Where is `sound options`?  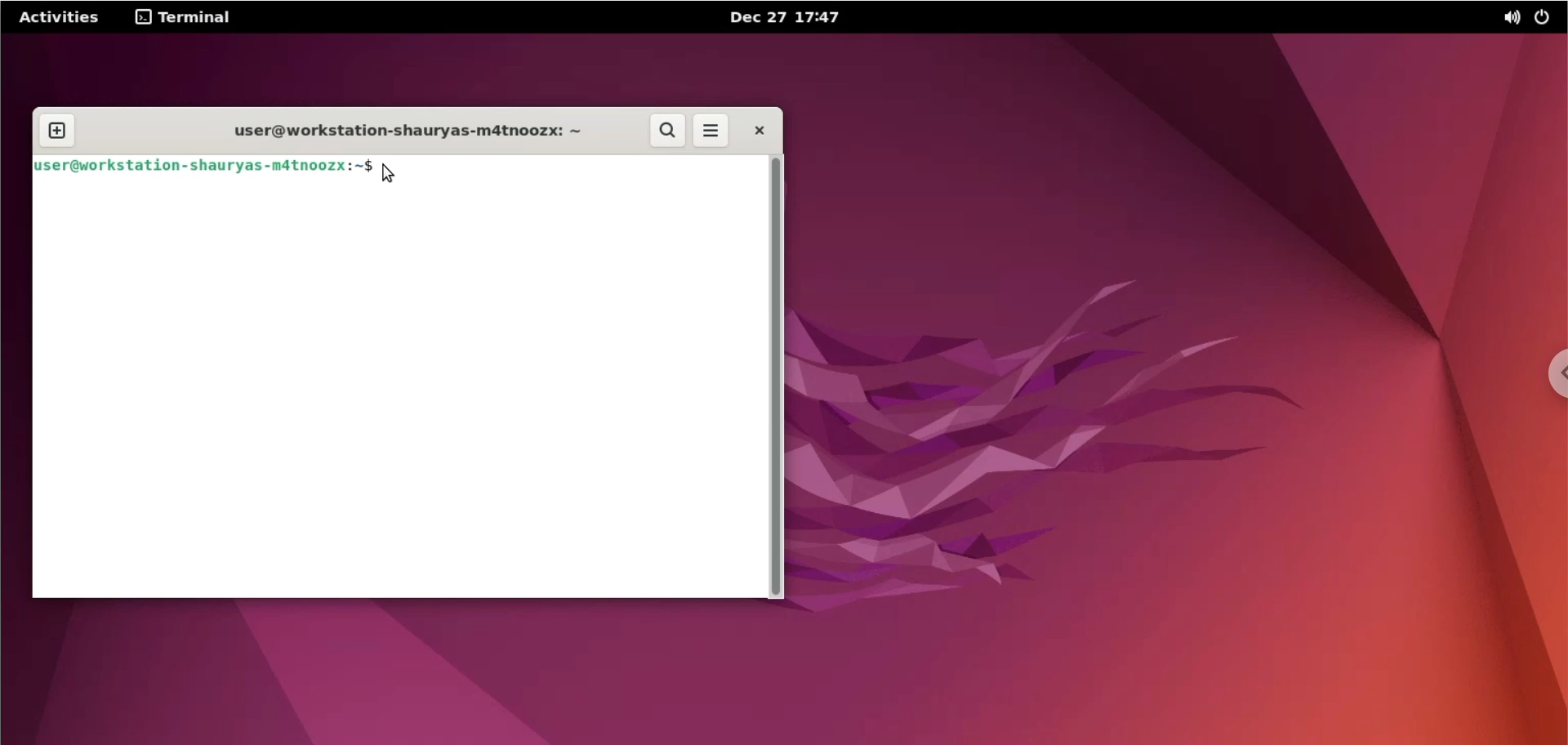 sound options is located at coordinates (1508, 16).